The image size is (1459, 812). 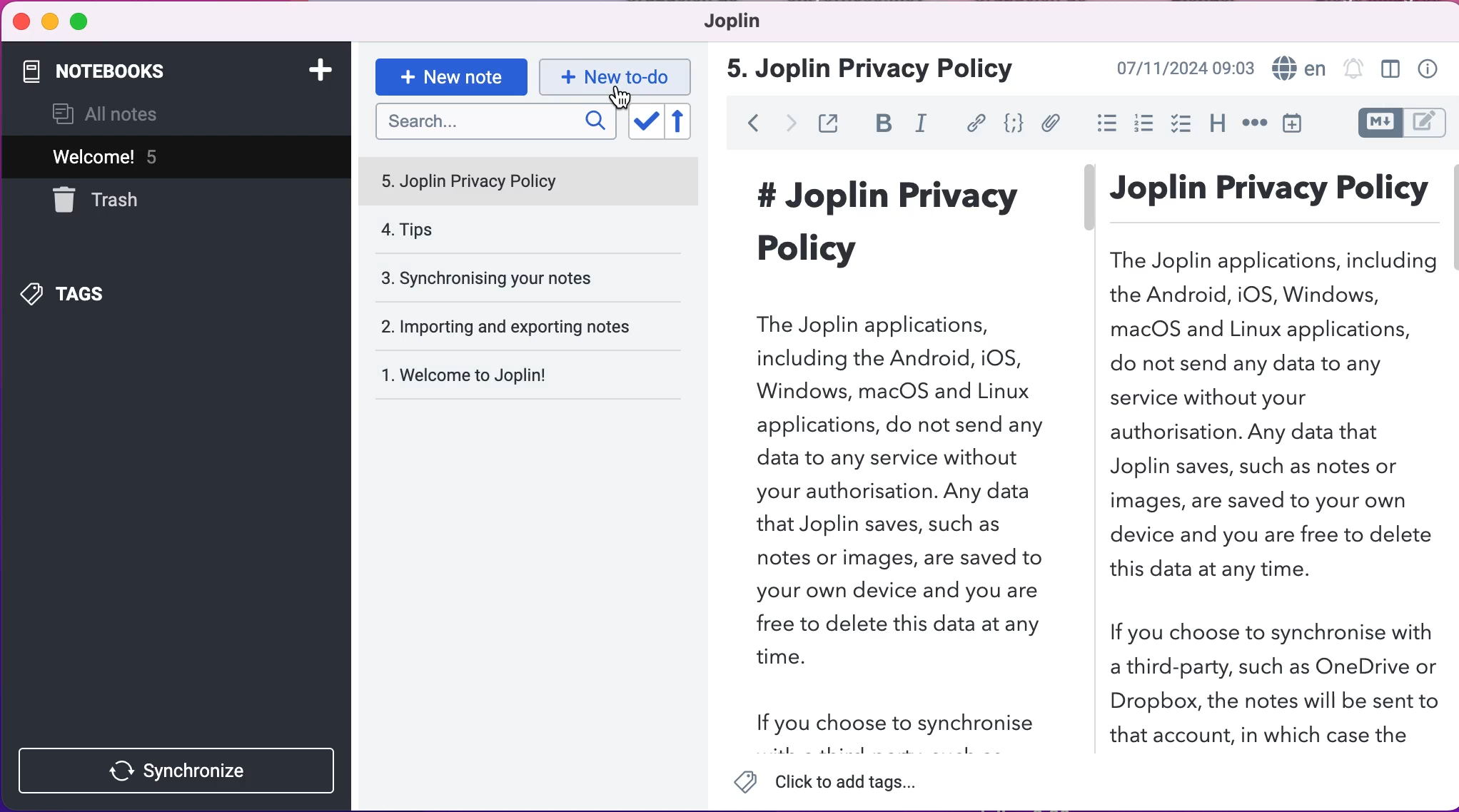 I want to click on new to-do, so click(x=620, y=76).